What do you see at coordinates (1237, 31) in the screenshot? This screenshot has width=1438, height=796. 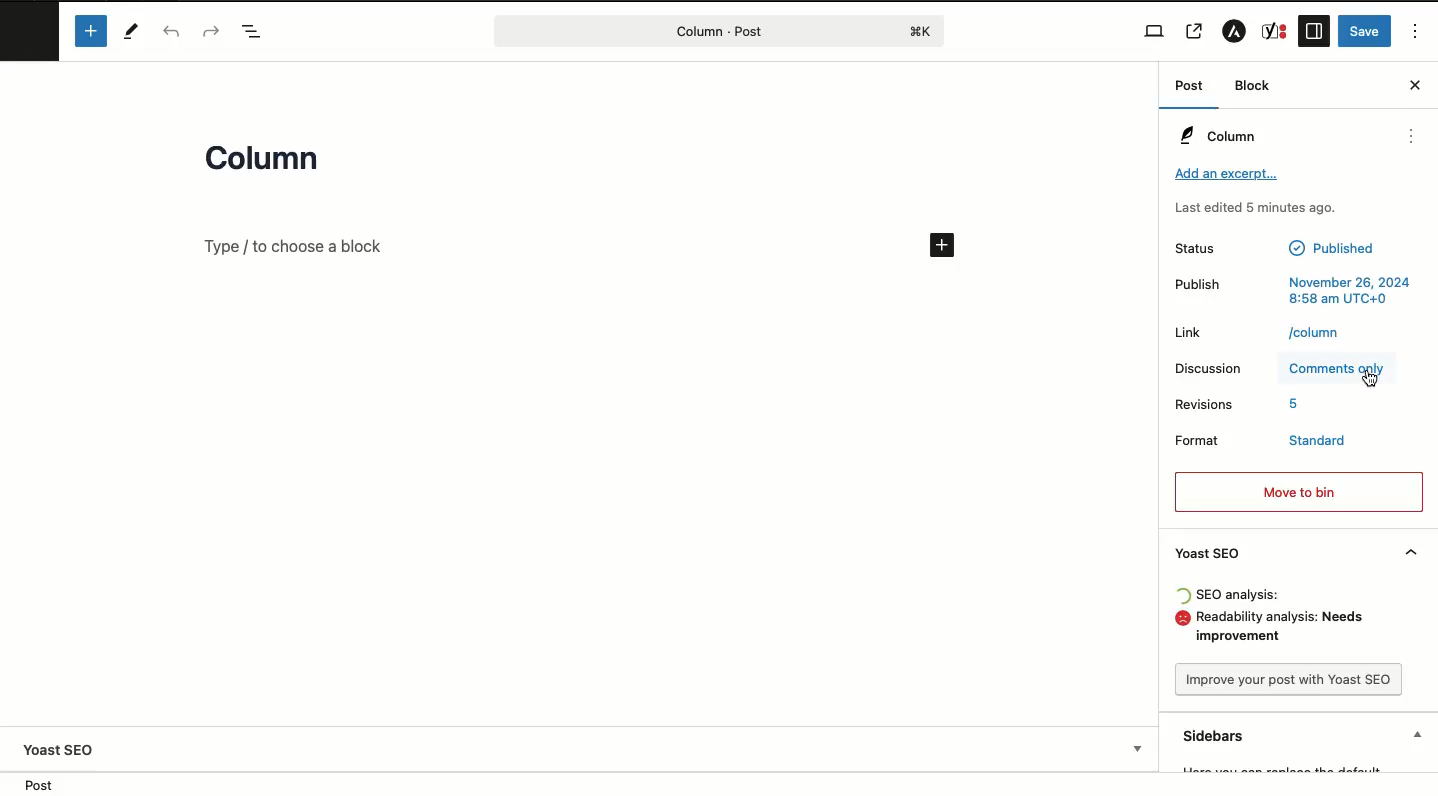 I see `Astra` at bounding box center [1237, 31].